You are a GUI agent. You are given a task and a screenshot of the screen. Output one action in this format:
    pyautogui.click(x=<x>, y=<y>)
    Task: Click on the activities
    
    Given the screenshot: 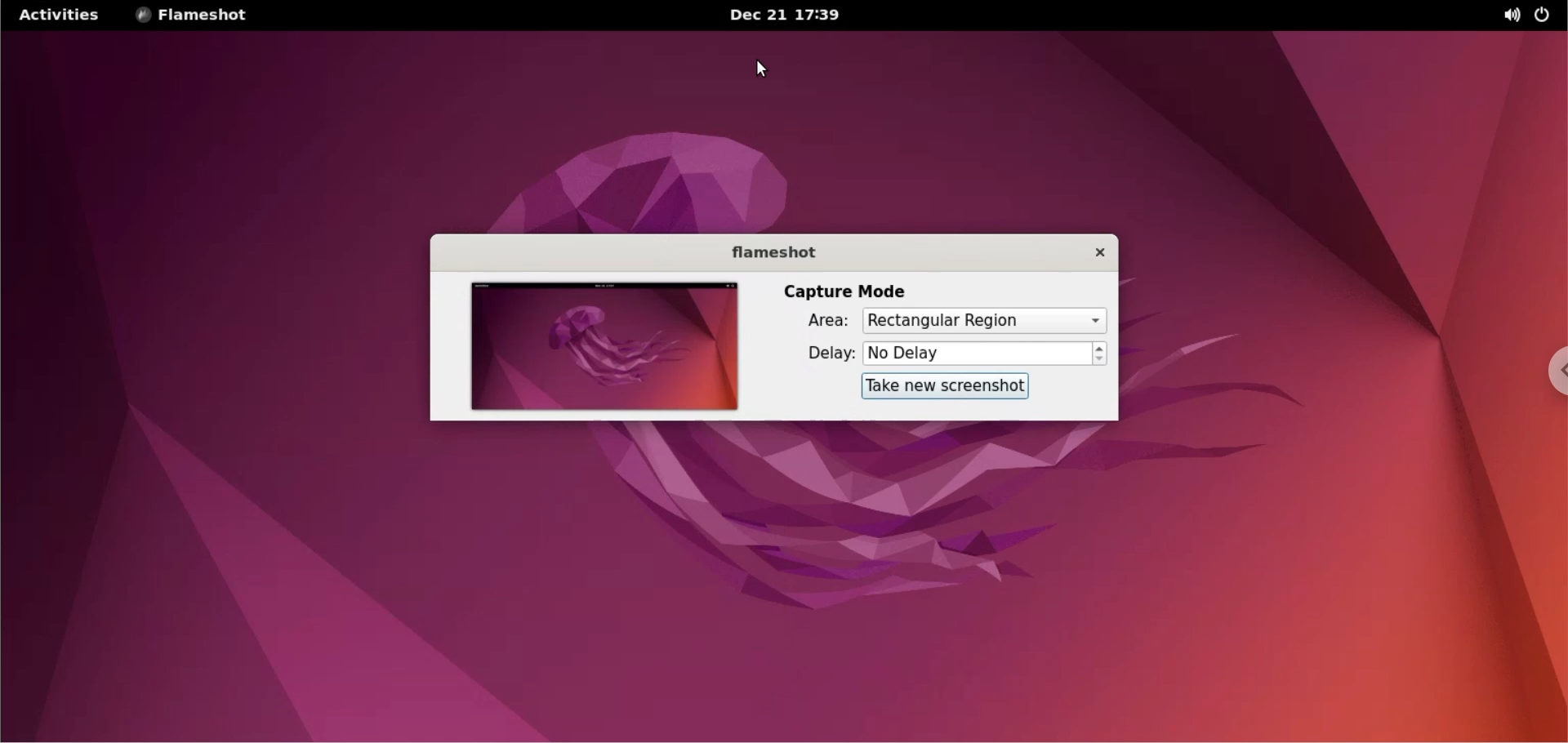 What is the action you would take?
    pyautogui.click(x=60, y=14)
    